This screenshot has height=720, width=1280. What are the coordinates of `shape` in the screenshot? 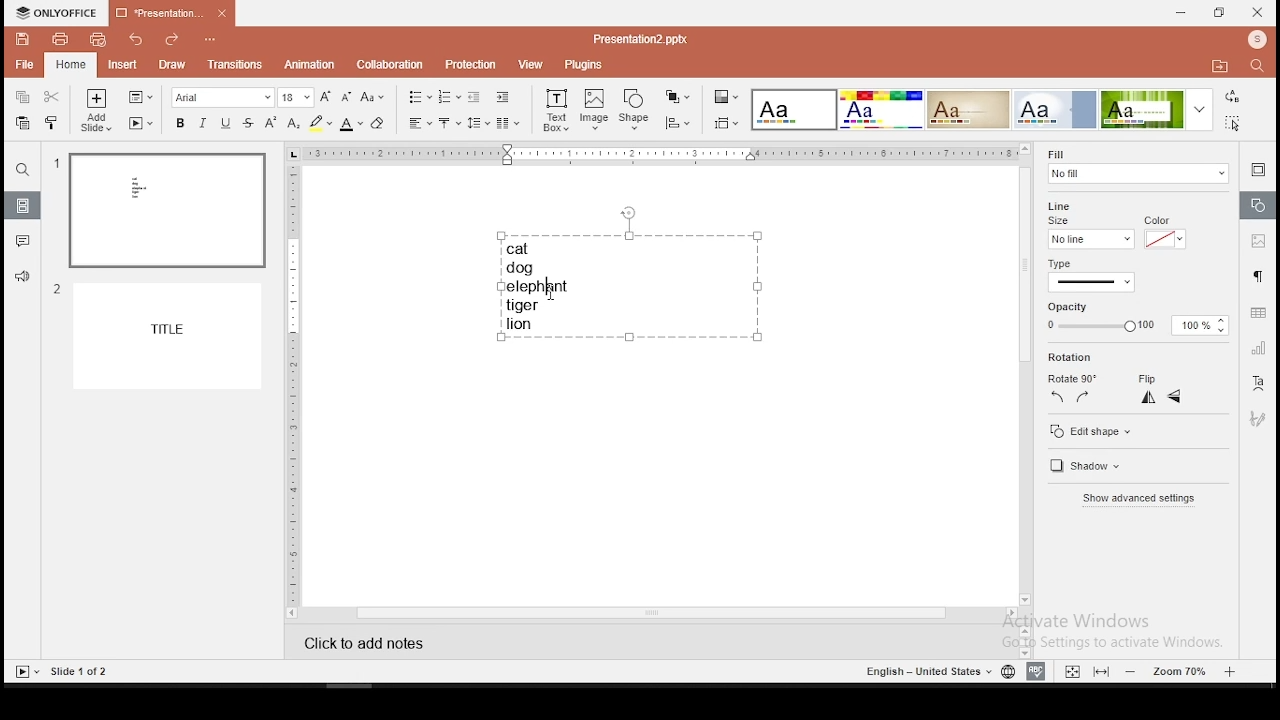 It's located at (635, 110).